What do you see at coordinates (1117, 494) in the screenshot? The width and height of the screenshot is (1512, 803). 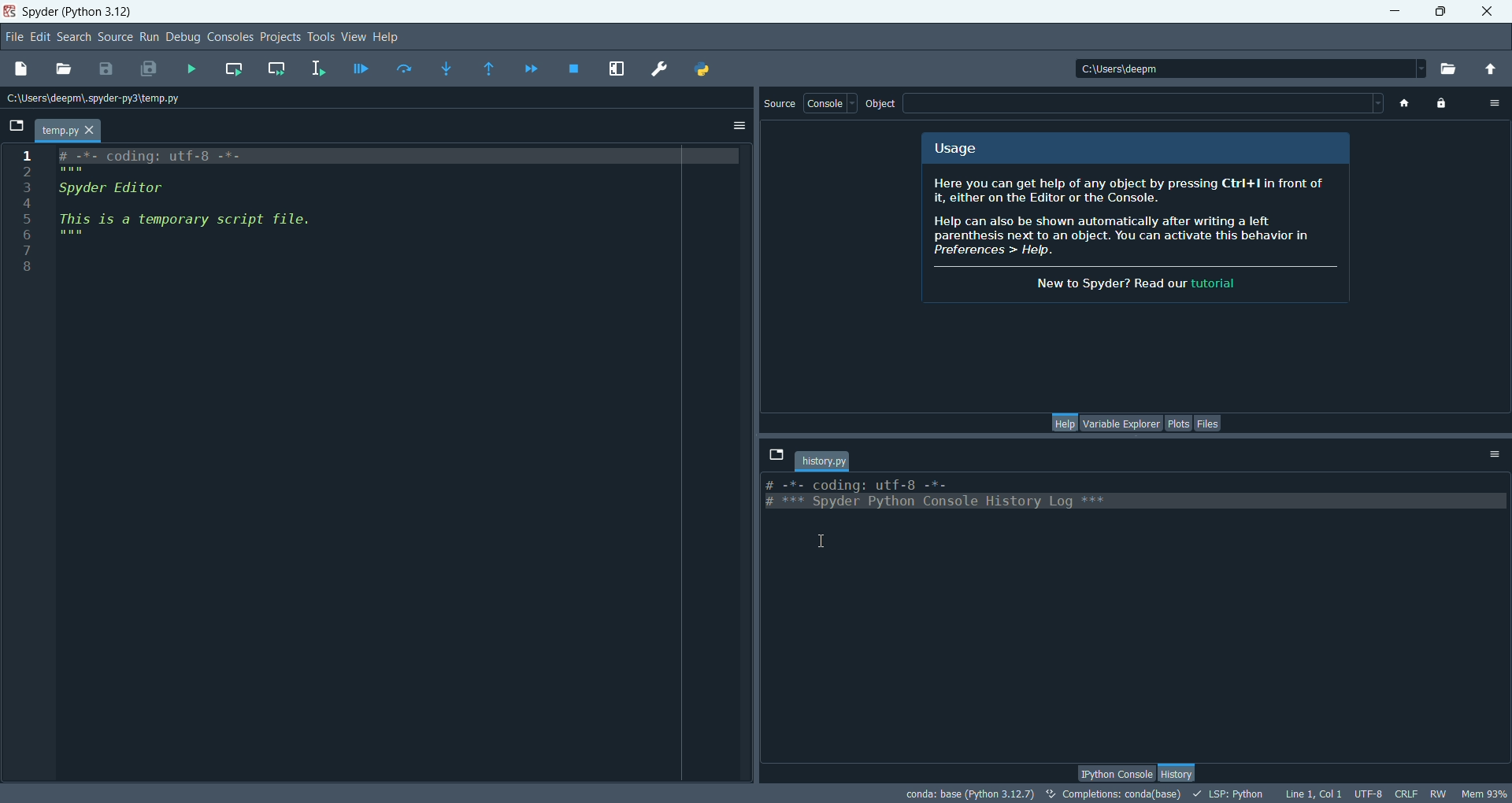 I see `python console history log` at bounding box center [1117, 494].